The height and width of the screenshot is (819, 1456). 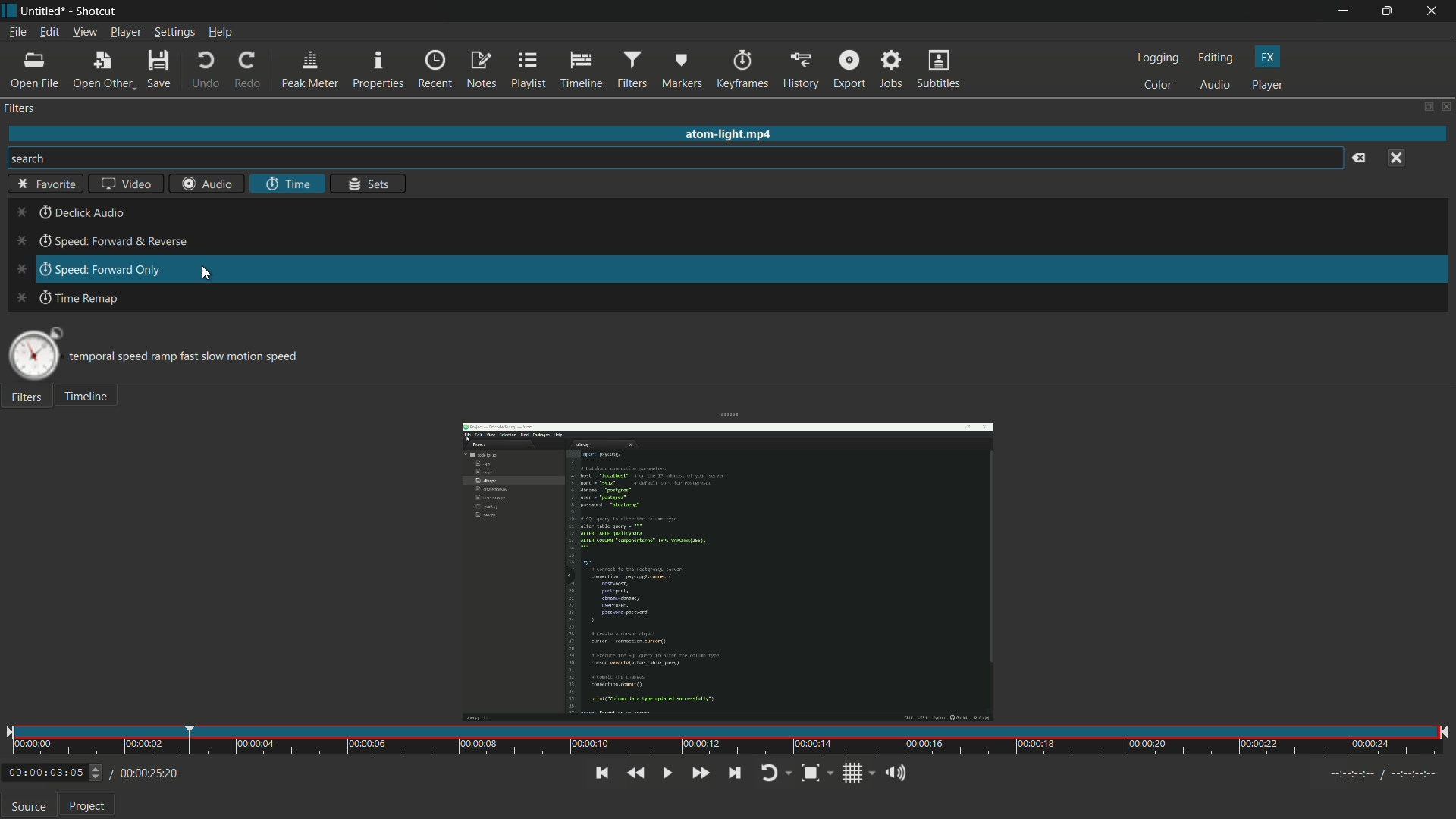 I want to click on shotcut icon, so click(x=9, y=10).